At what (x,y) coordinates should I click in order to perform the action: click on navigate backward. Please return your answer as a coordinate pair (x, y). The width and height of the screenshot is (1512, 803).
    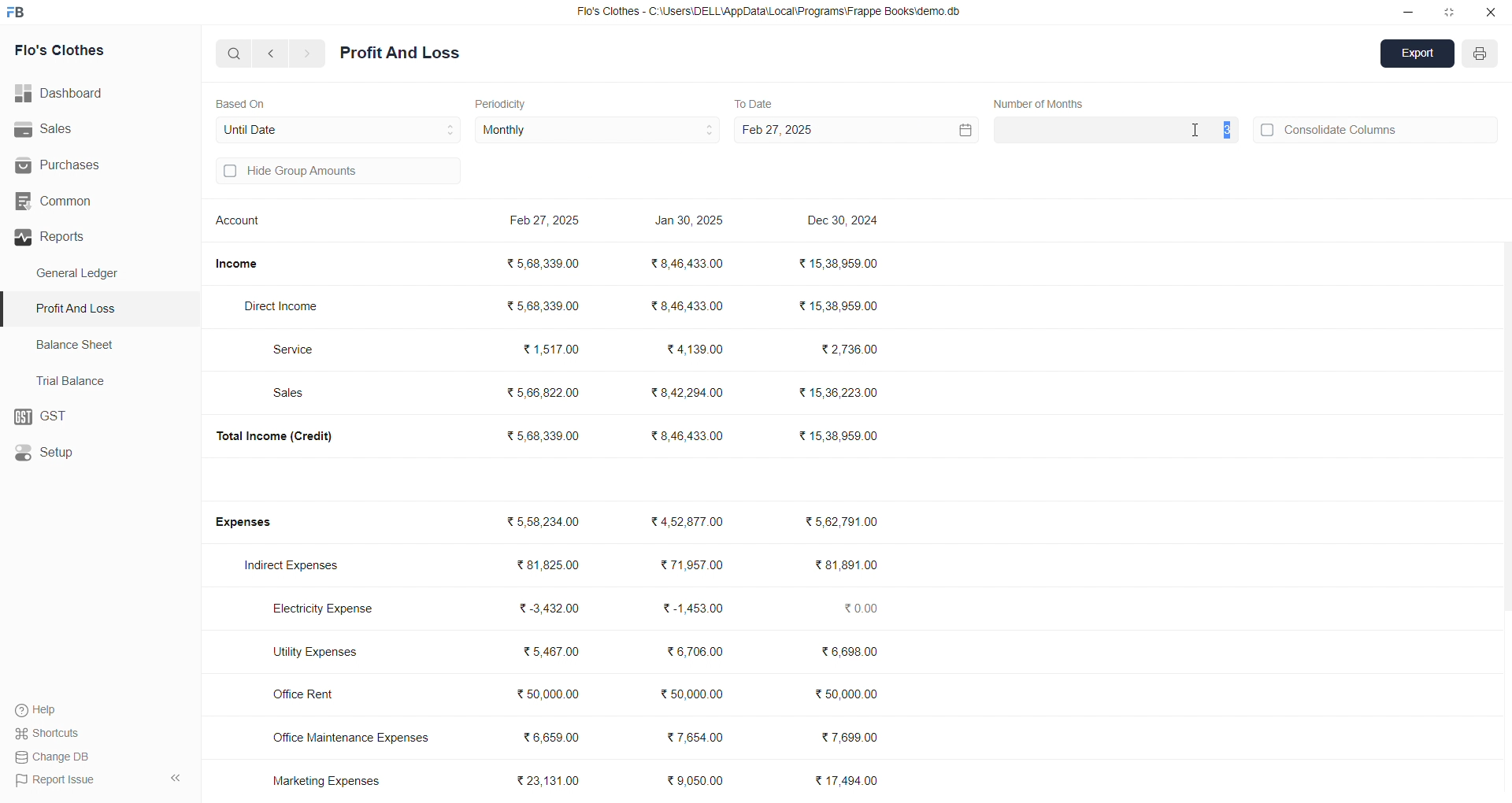
    Looking at the image, I should click on (273, 53).